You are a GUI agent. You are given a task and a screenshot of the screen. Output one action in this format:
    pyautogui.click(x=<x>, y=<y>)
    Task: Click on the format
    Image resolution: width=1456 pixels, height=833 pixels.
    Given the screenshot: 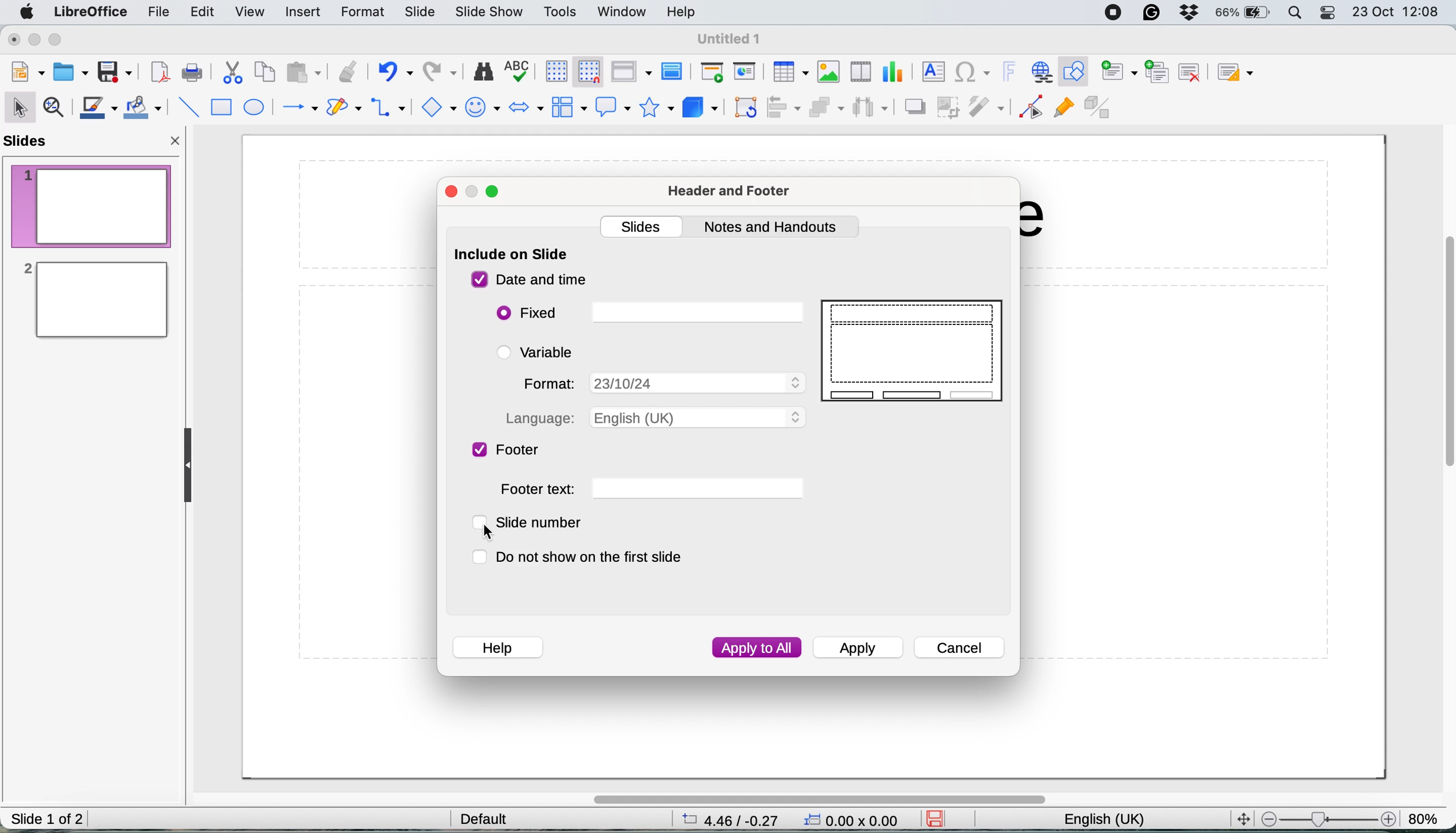 What is the action you would take?
    pyautogui.click(x=365, y=13)
    